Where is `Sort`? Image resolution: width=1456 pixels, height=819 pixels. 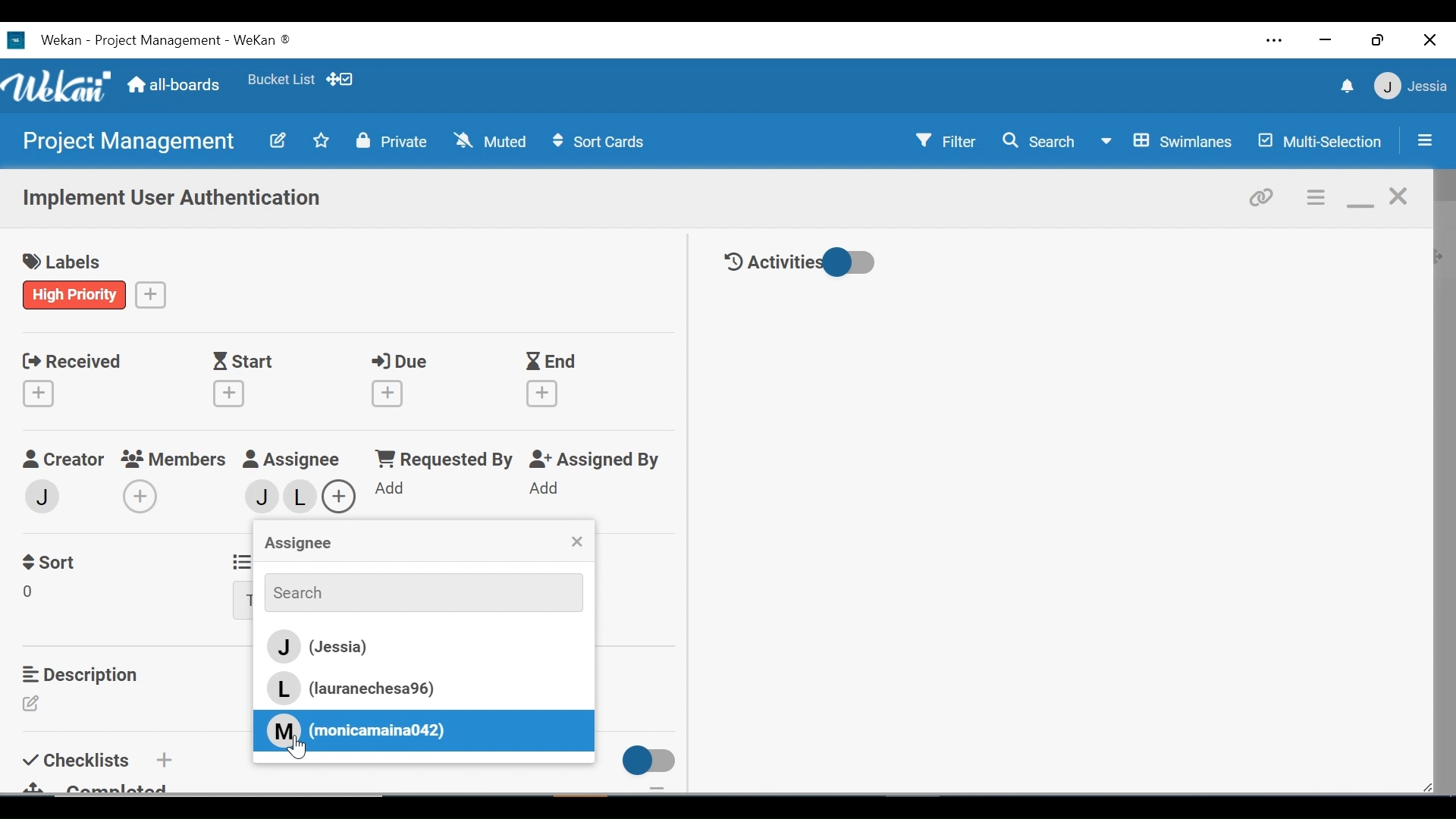
Sort is located at coordinates (52, 560).